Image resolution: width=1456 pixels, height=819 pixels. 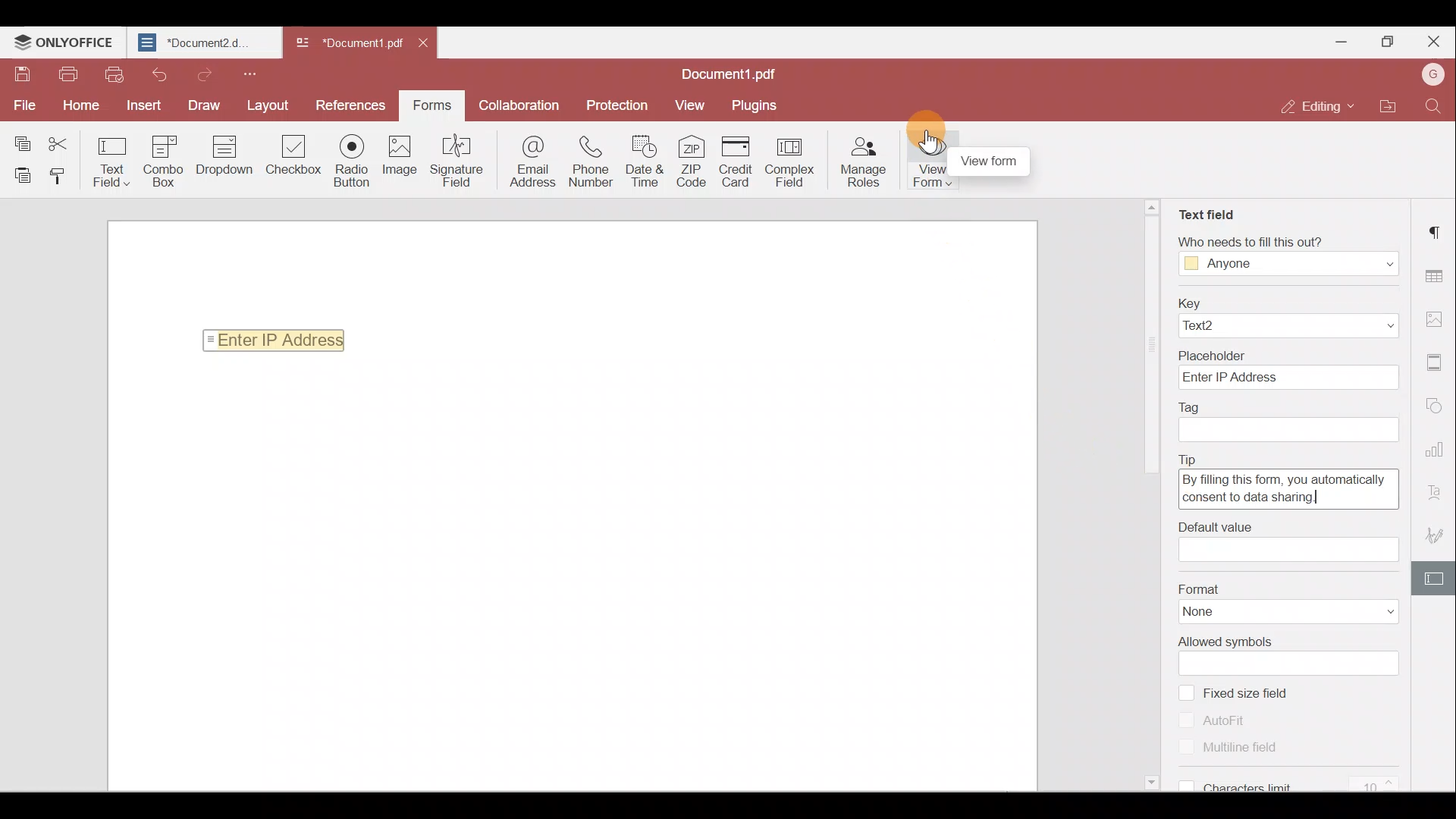 I want to click on Text field, so click(x=112, y=161).